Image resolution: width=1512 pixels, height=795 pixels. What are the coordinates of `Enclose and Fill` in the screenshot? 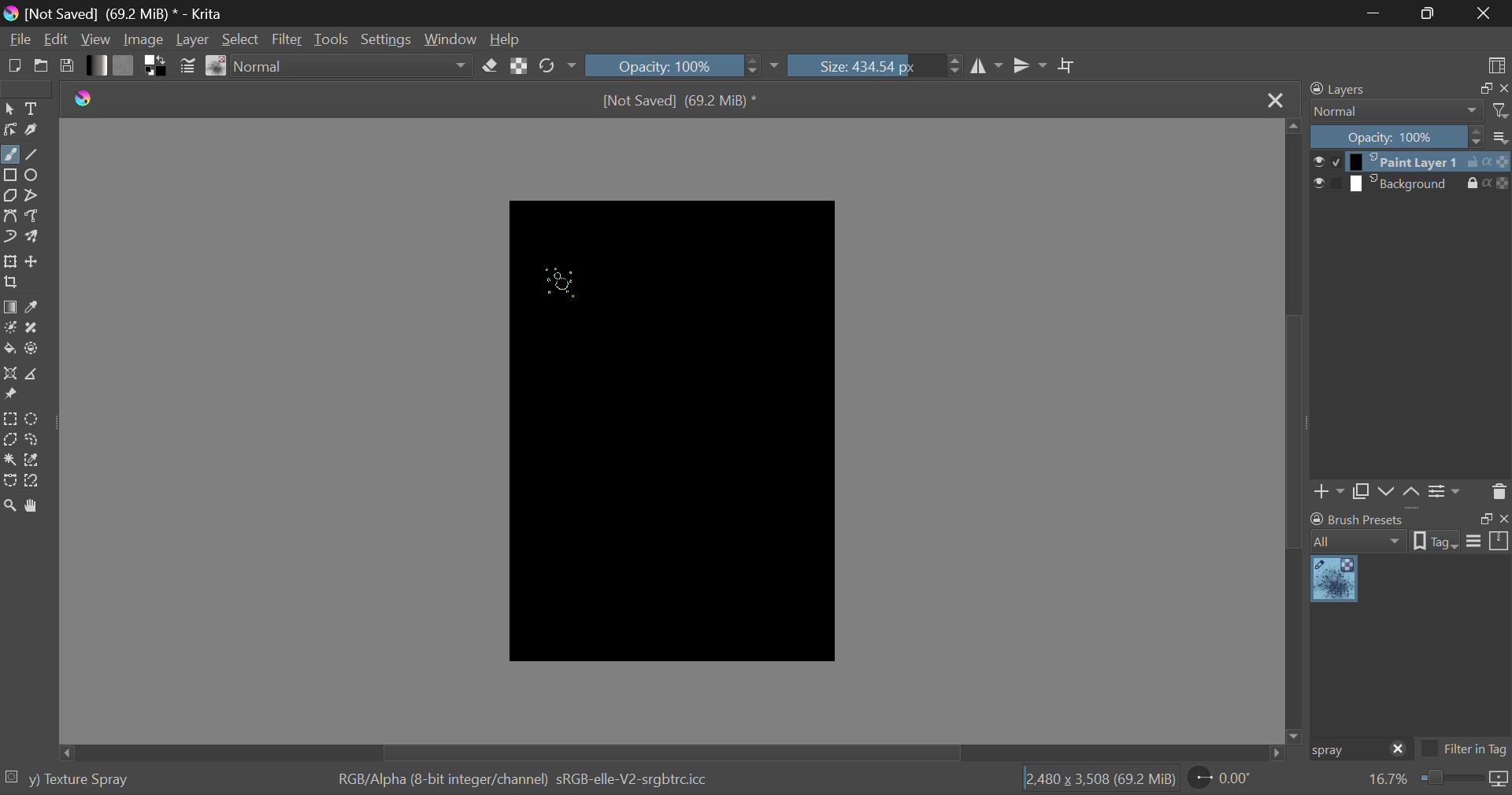 It's located at (32, 350).